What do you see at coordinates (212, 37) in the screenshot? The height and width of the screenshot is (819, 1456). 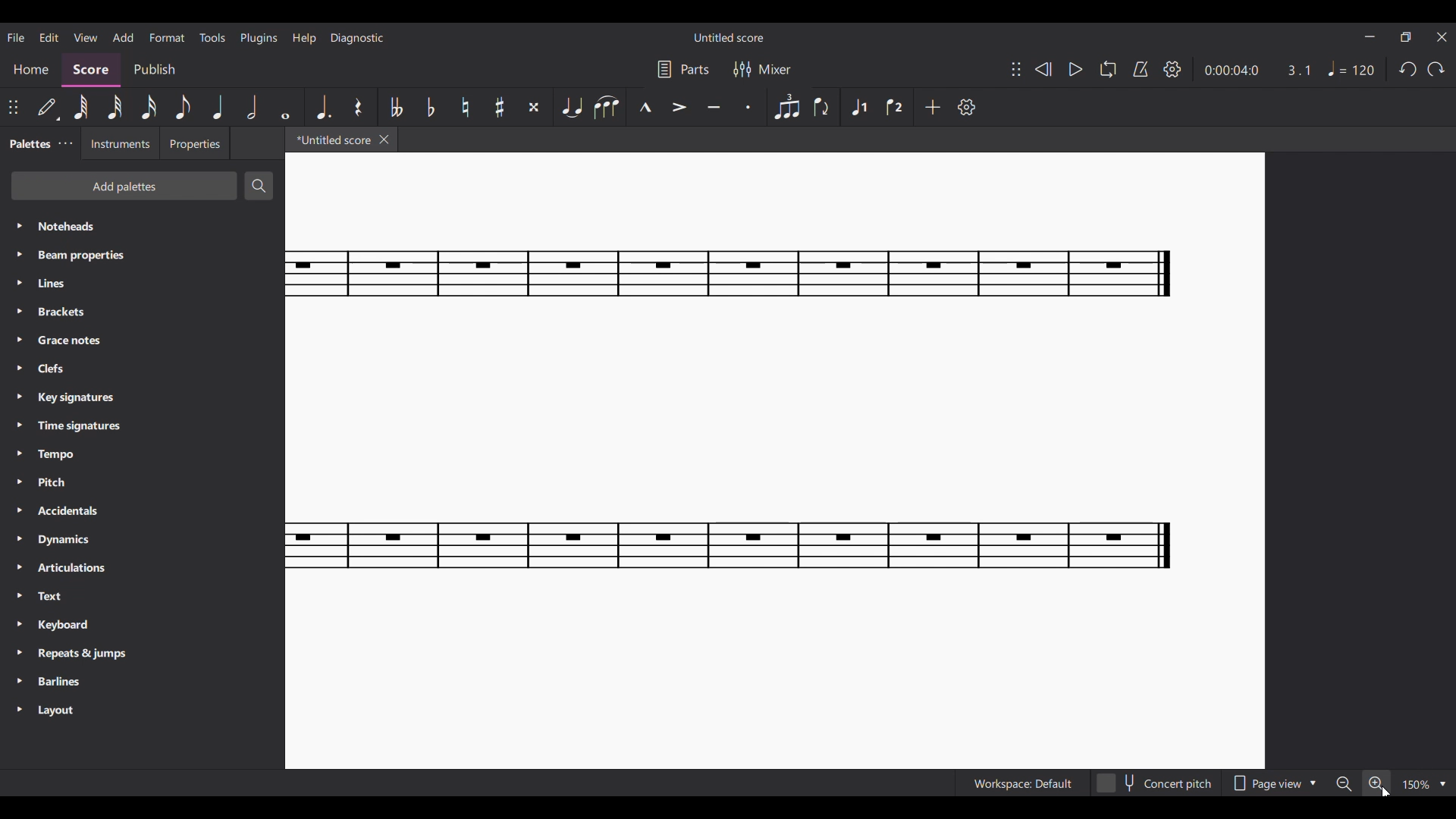 I see `Tools menu` at bounding box center [212, 37].